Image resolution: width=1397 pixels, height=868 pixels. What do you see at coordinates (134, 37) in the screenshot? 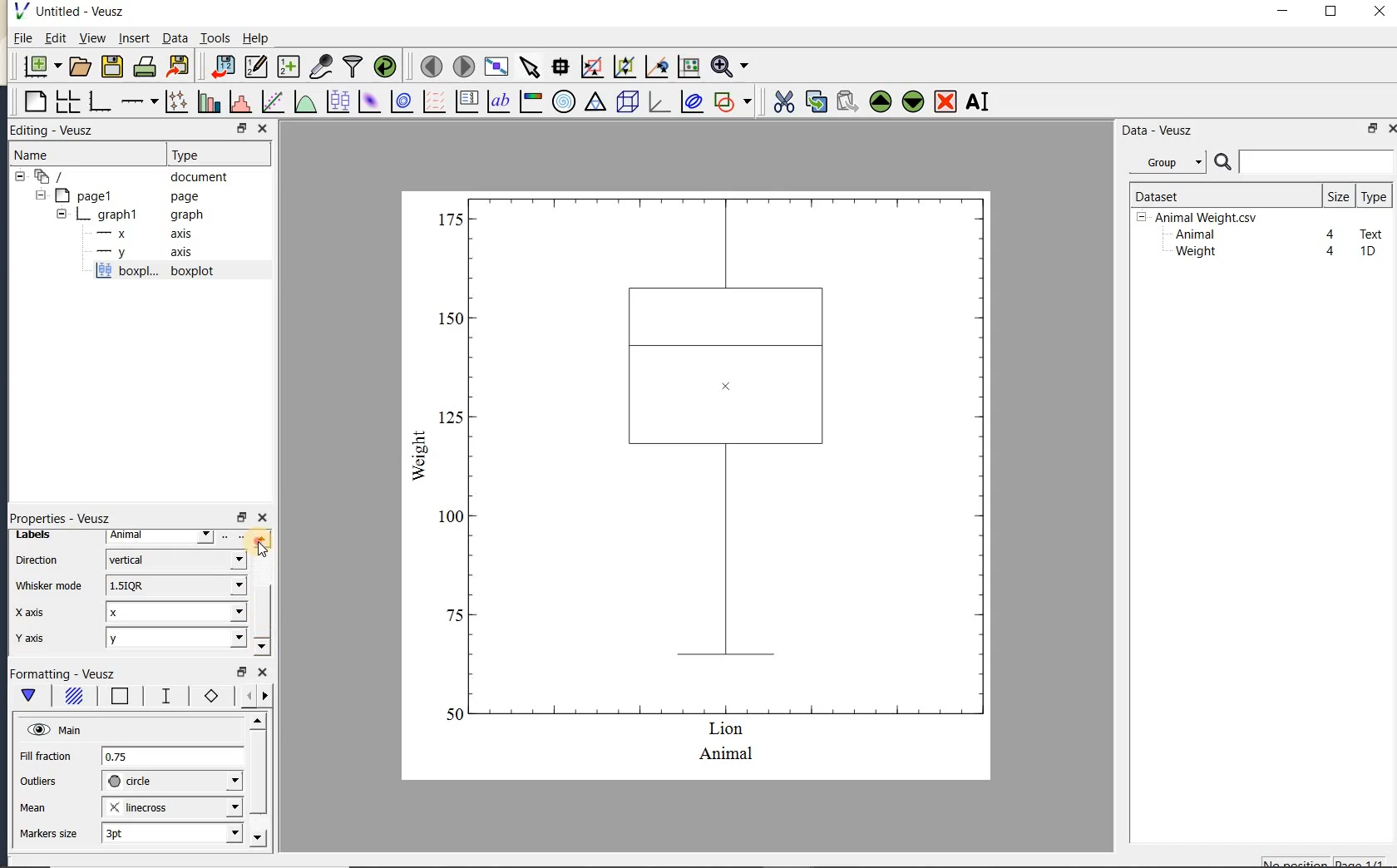
I see `insert` at bounding box center [134, 37].